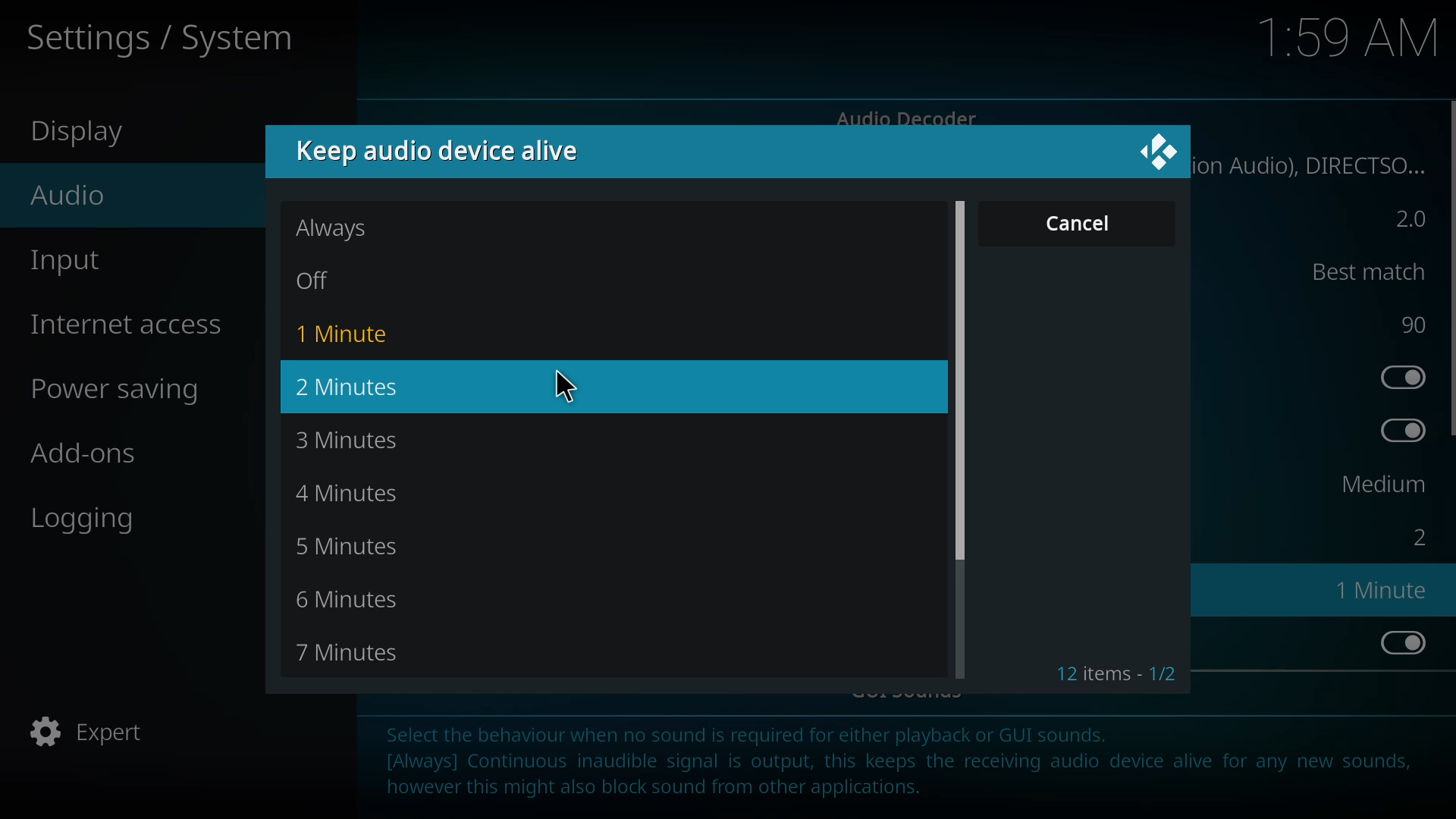 The image size is (1456, 819). What do you see at coordinates (1398, 641) in the screenshot?
I see `enabled` at bounding box center [1398, 641].